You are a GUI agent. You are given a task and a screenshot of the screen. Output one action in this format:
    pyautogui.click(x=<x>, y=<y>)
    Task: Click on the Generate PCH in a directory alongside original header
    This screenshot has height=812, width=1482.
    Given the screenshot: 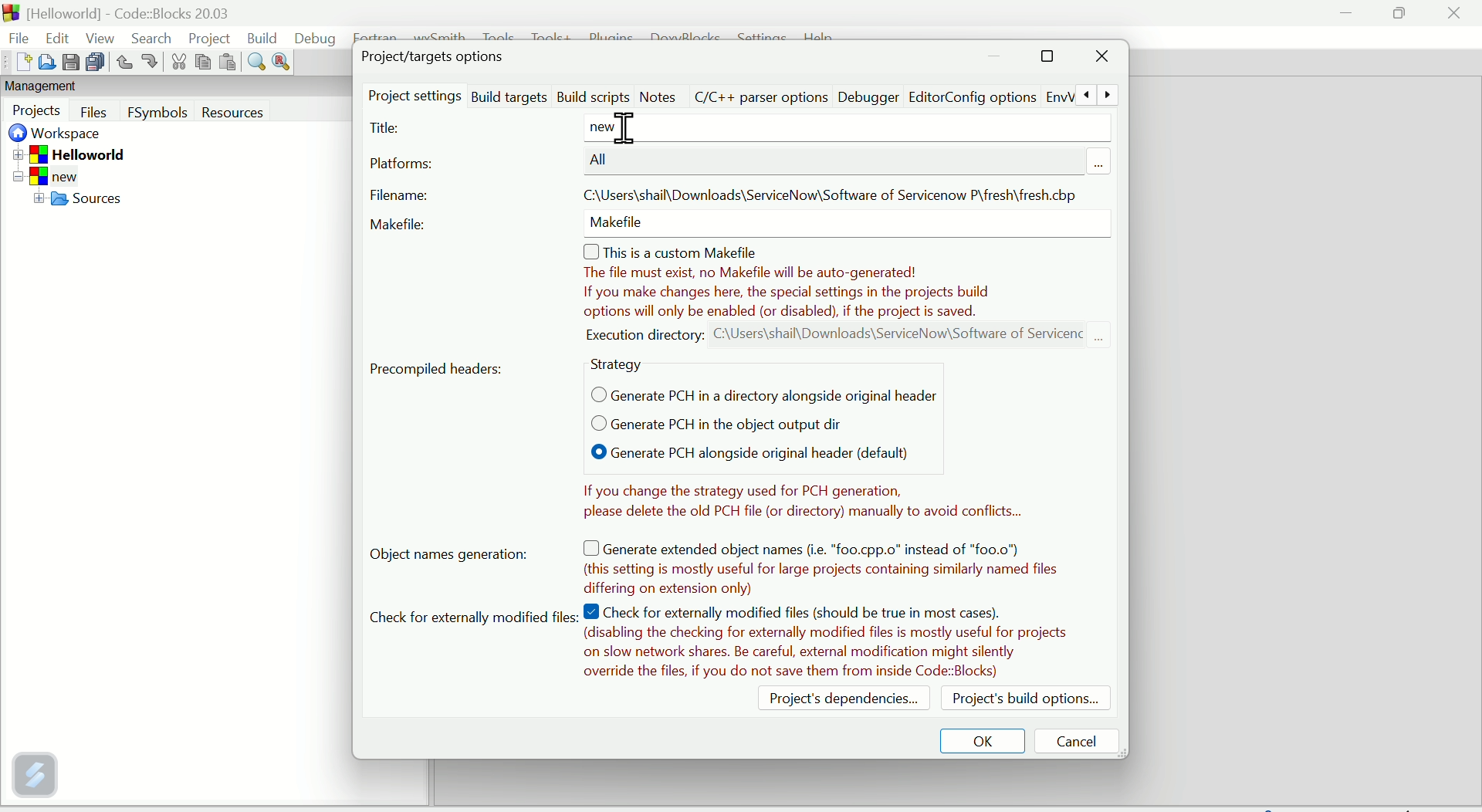 What is the action you would take?
    pyautogui.click(x=758, y=394)
    